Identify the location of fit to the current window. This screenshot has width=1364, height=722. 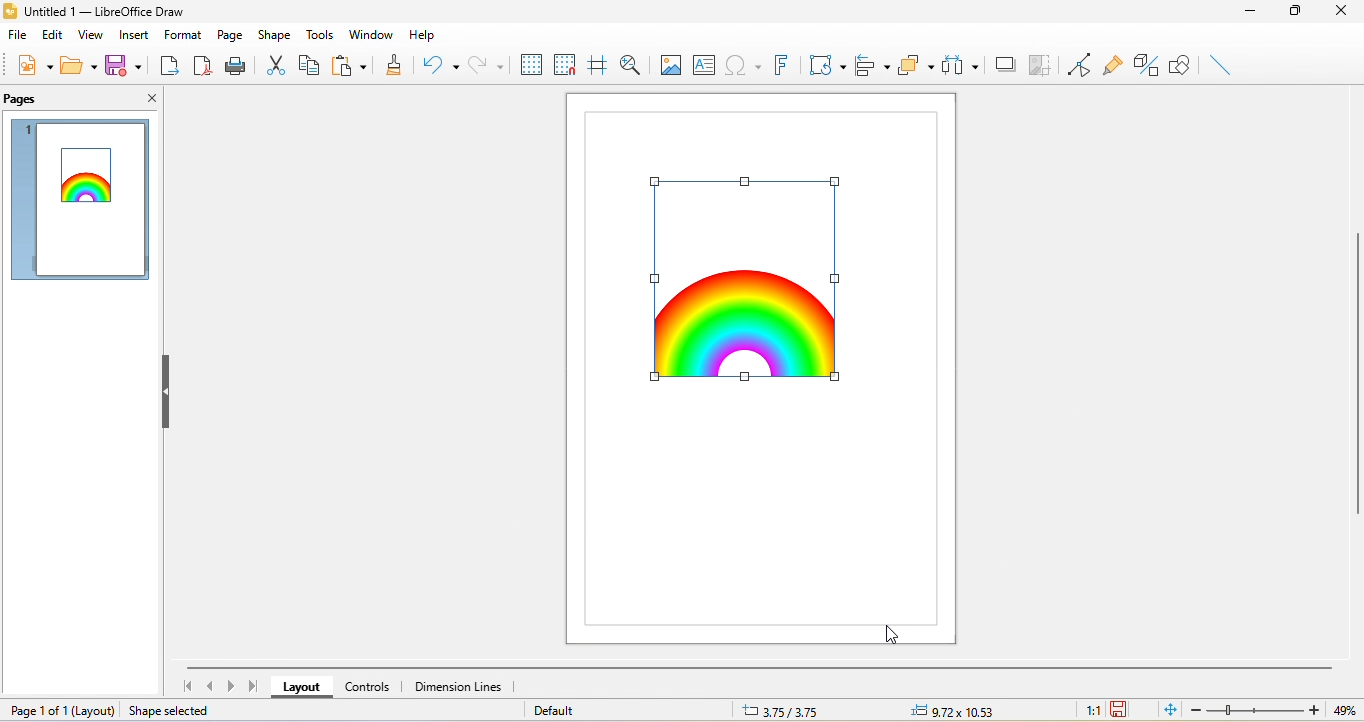
(1171, 711).